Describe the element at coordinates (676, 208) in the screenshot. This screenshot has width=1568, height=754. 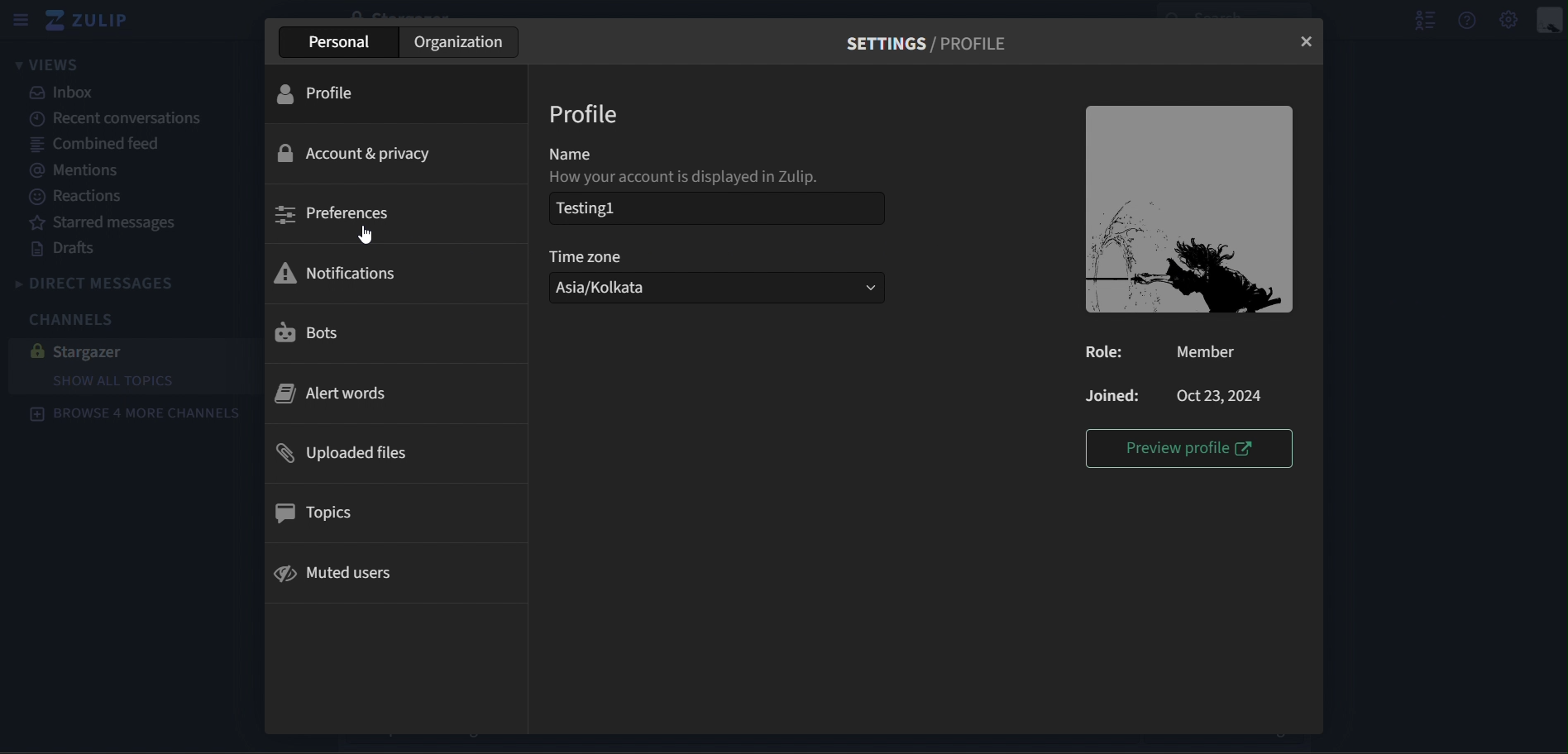
I see `Testing1` at that location.